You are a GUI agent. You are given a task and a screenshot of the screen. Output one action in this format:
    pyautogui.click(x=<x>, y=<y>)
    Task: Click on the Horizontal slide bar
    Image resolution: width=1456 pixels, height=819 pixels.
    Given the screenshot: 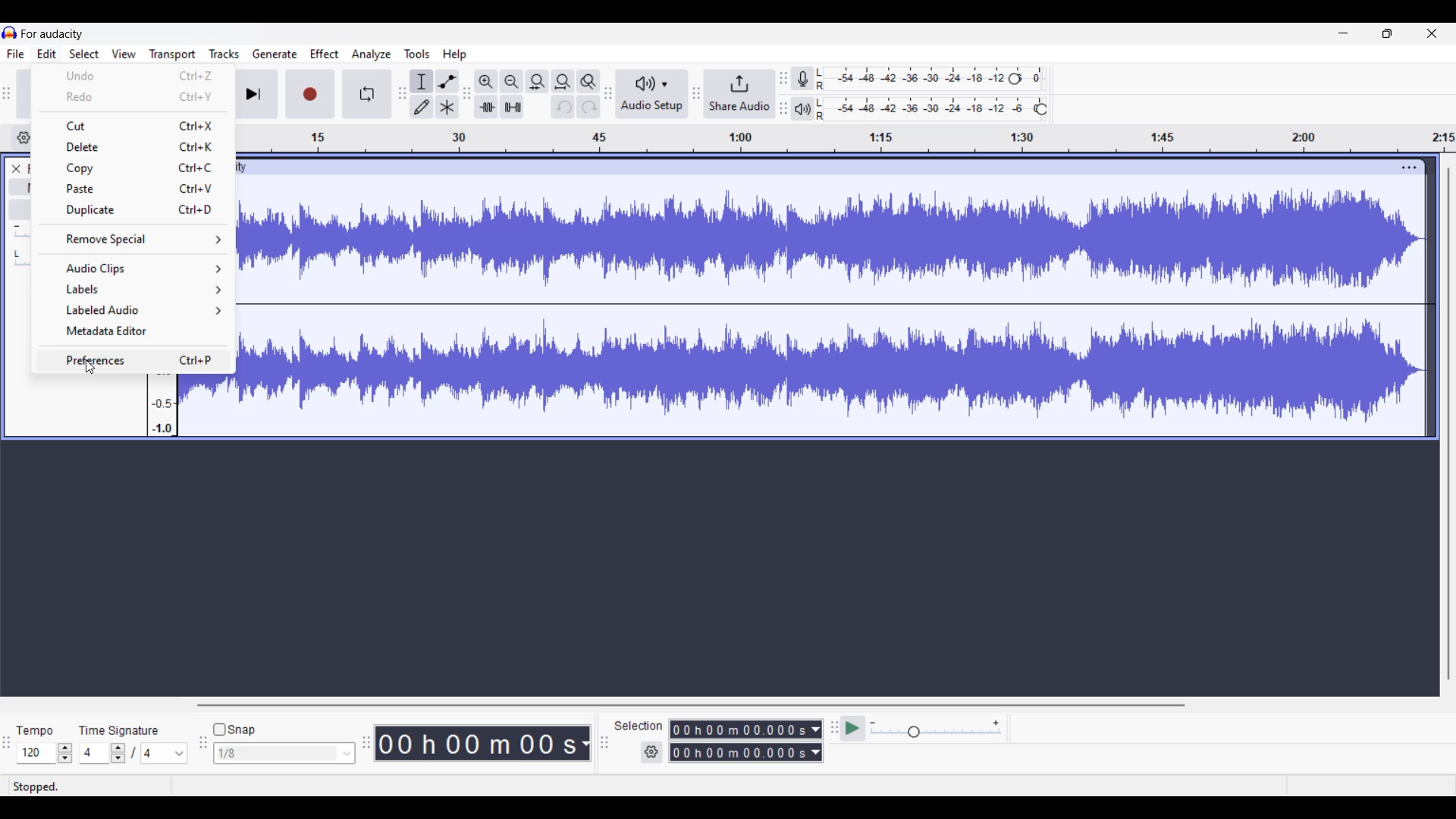 What is the action you would take?
    pyautogui.click(x=691, y=705)
    